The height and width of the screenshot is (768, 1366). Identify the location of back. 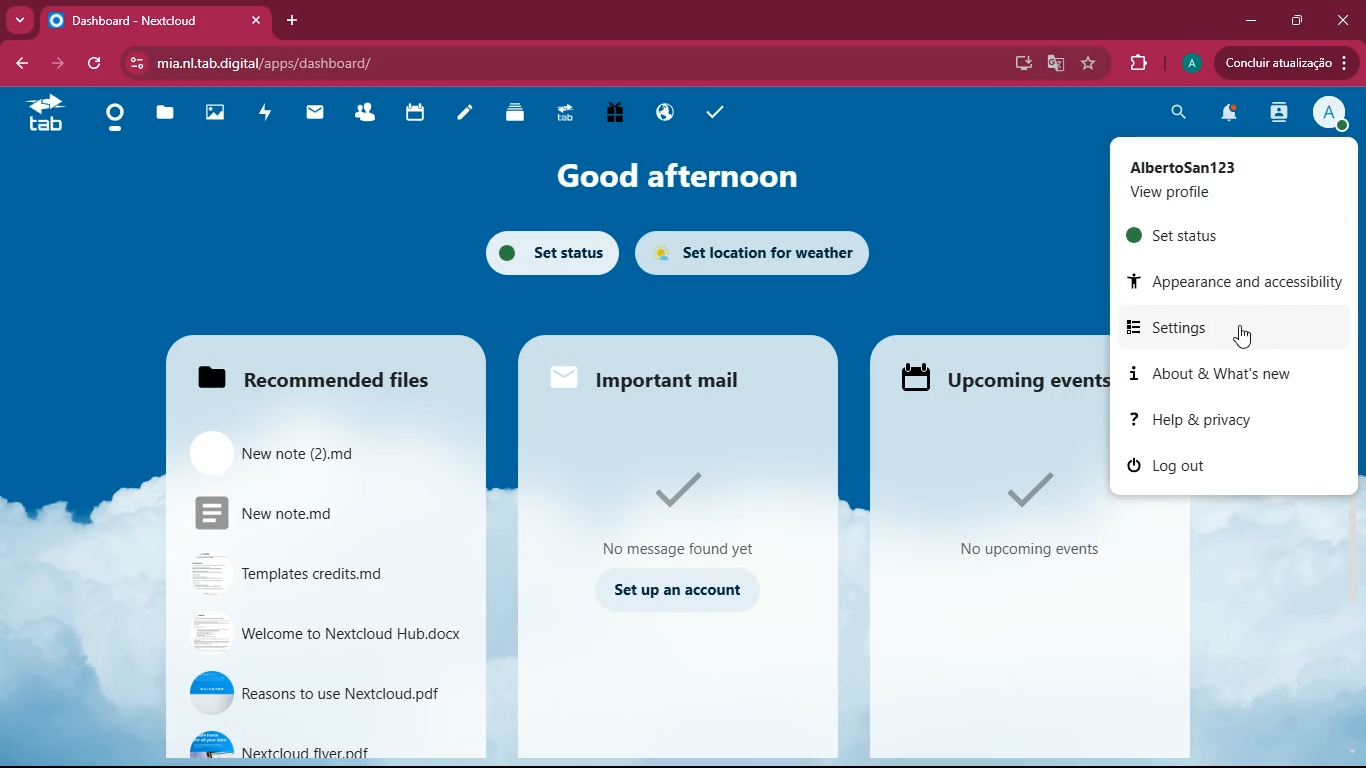
(21, 64).